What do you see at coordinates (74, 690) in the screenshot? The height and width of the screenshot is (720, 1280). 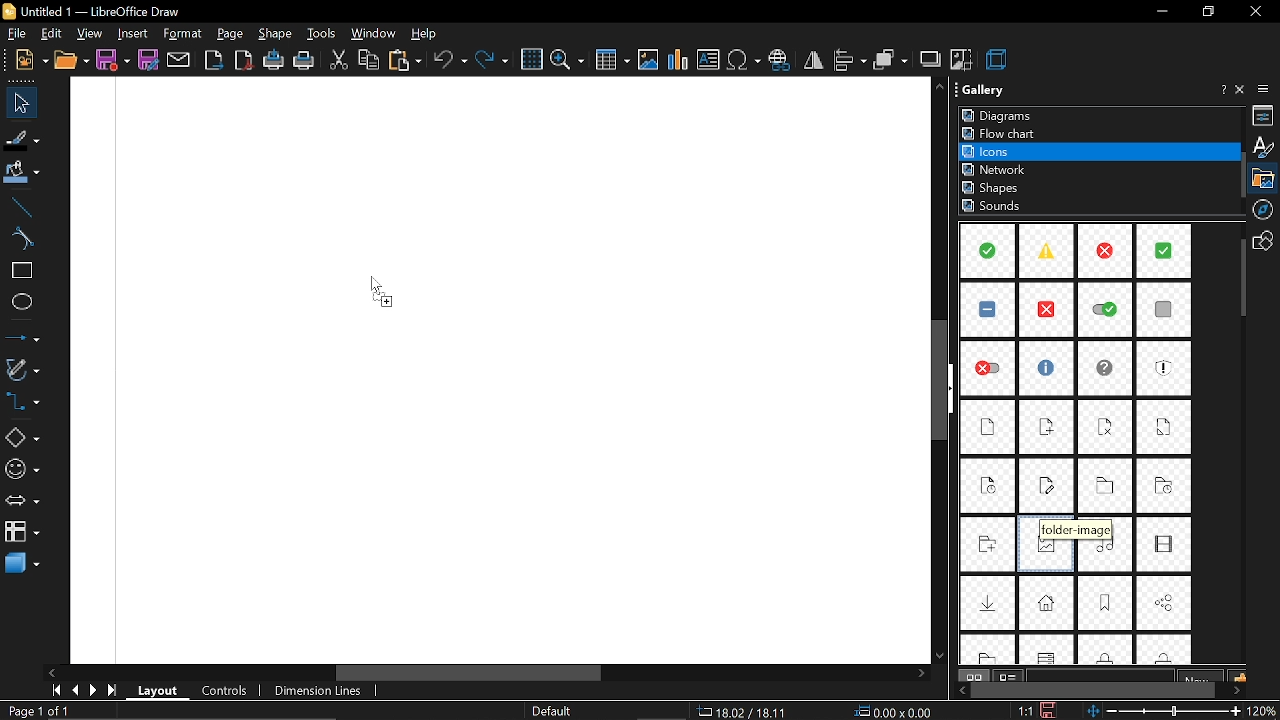 I see `previous page` at bounding box center [74, 690].